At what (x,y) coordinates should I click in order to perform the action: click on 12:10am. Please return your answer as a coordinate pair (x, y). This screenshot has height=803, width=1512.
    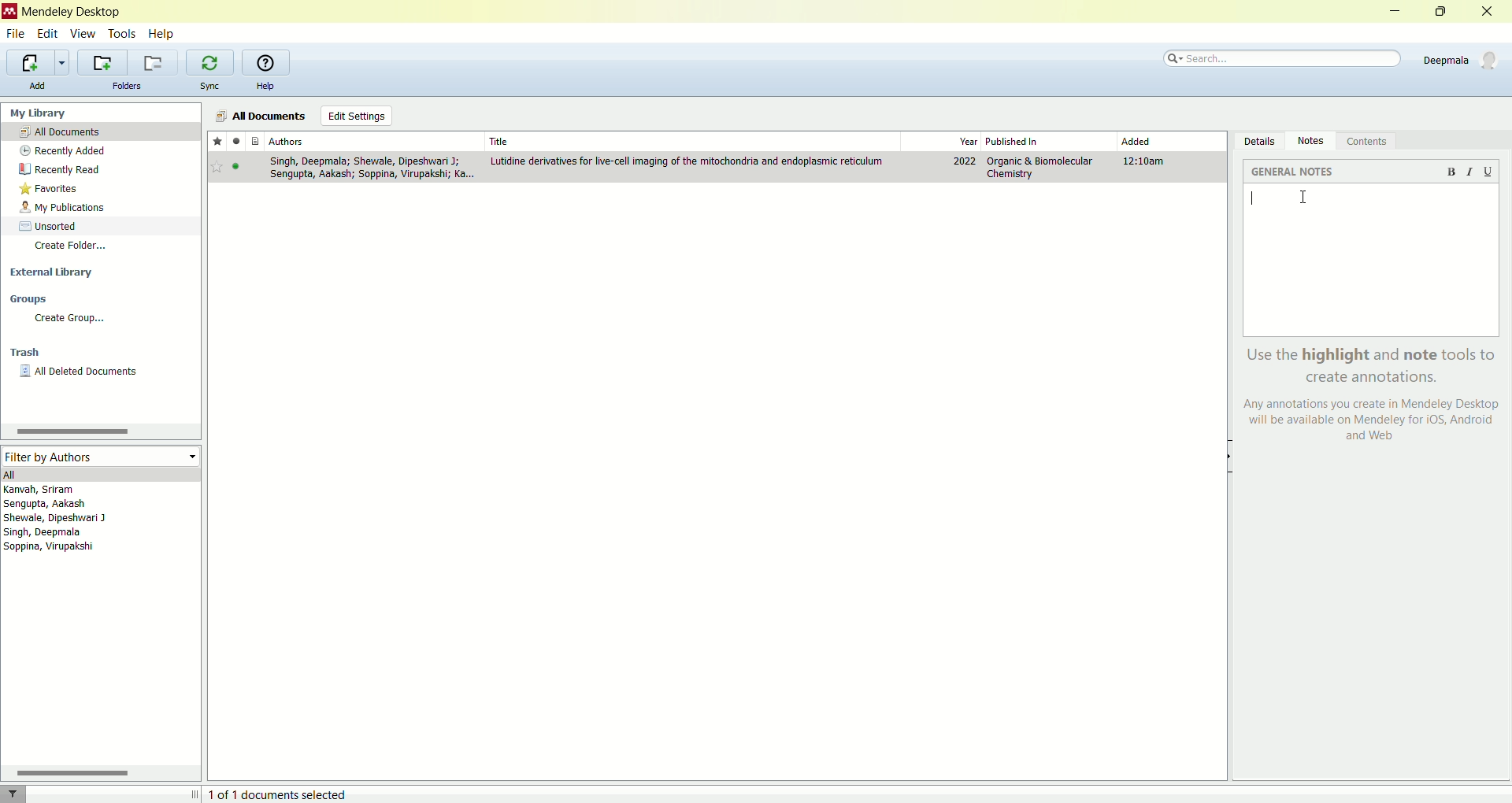
    Looking at the image, I should click on (1147, 162).